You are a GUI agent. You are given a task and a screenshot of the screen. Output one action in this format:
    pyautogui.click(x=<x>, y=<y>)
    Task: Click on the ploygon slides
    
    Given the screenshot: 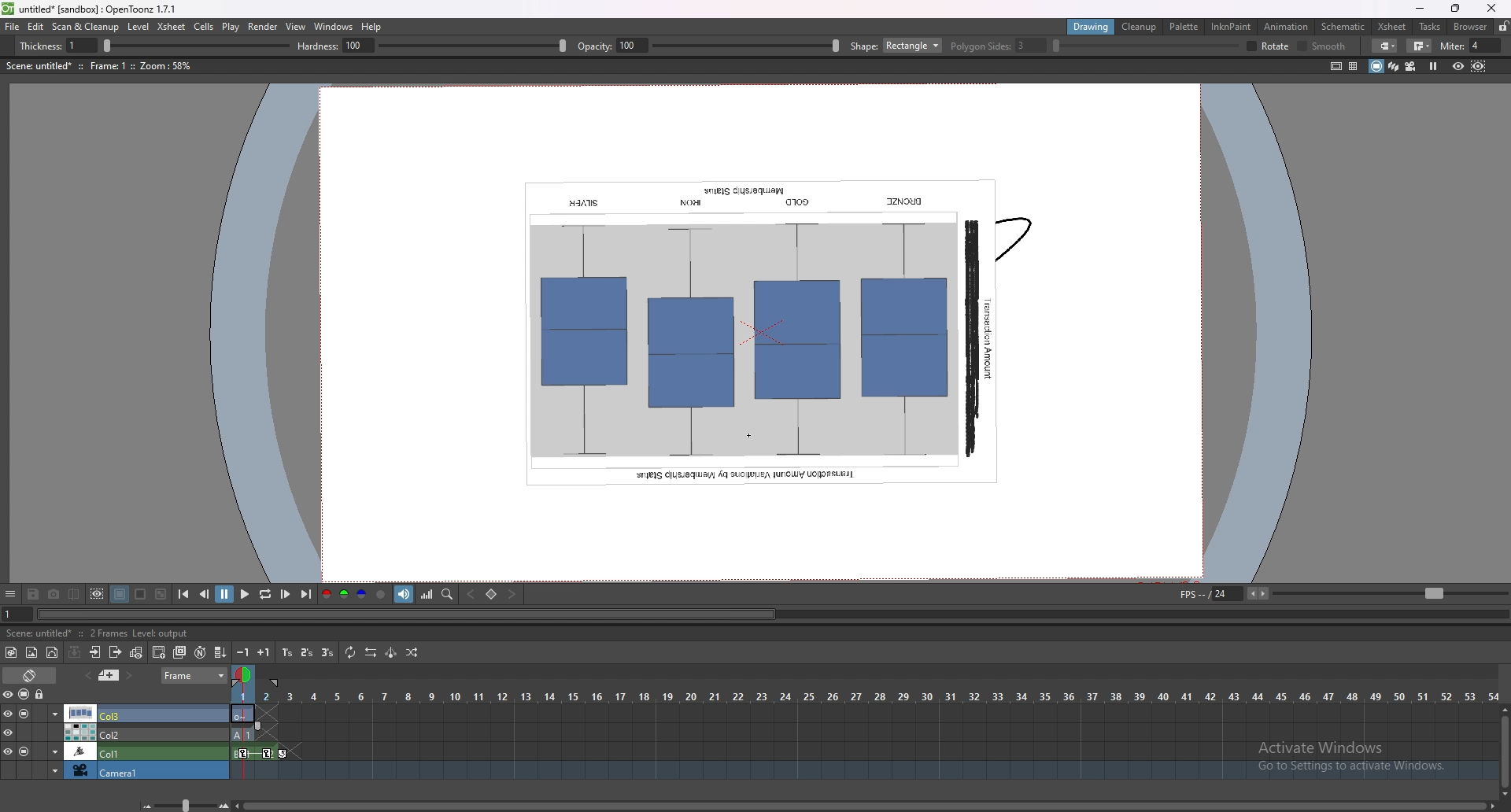 What is the action you would take?
    pyautogui.click(x=742, y=46)
    